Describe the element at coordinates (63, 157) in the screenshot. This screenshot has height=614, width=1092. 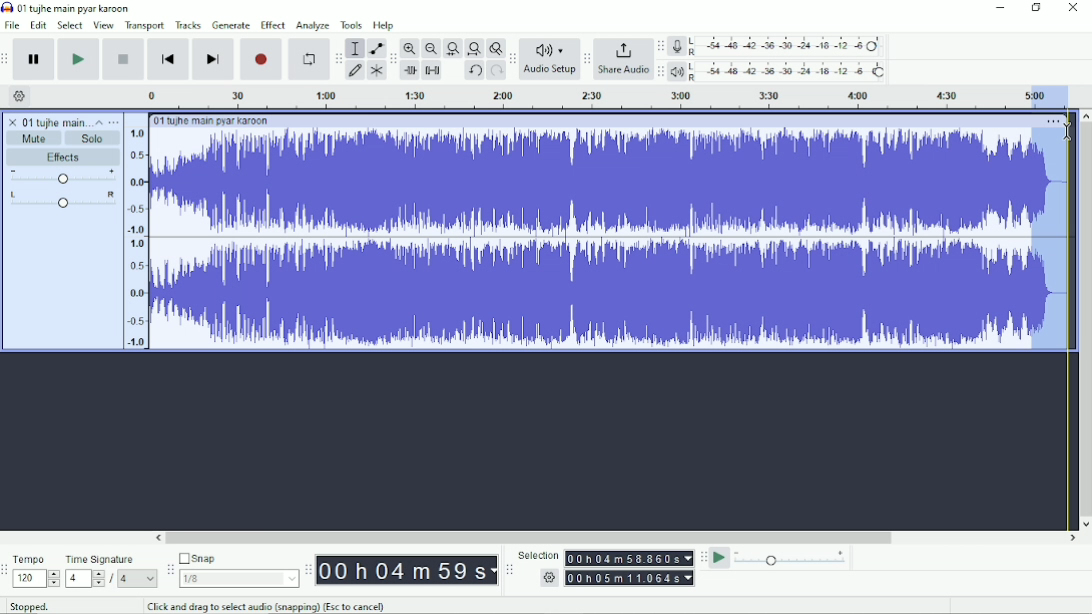
I see `Effects` at that location.